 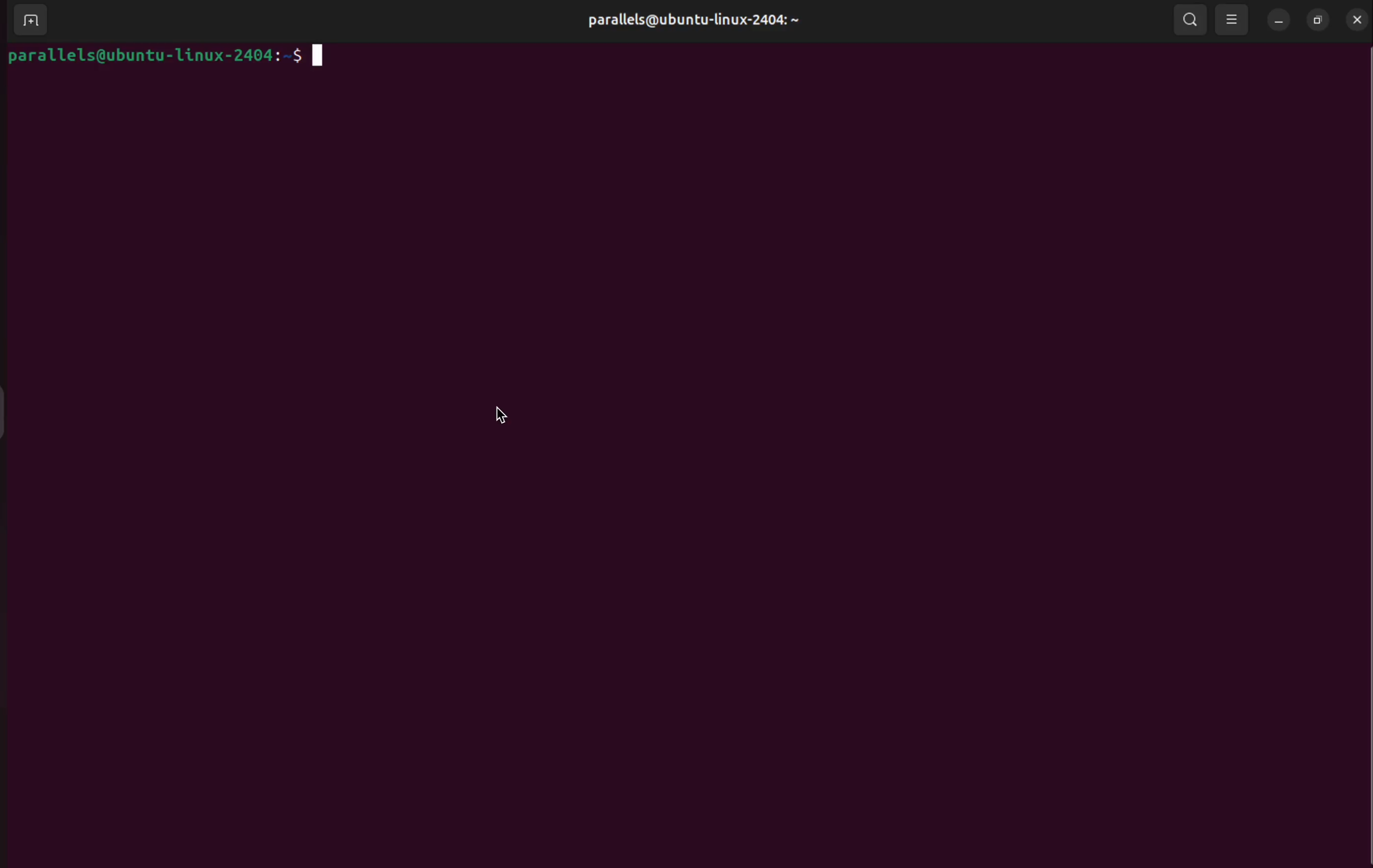 What do you see at coordinates (1188, 21) in the screenshot?
I see `search` at bounding box center [1188, 21].